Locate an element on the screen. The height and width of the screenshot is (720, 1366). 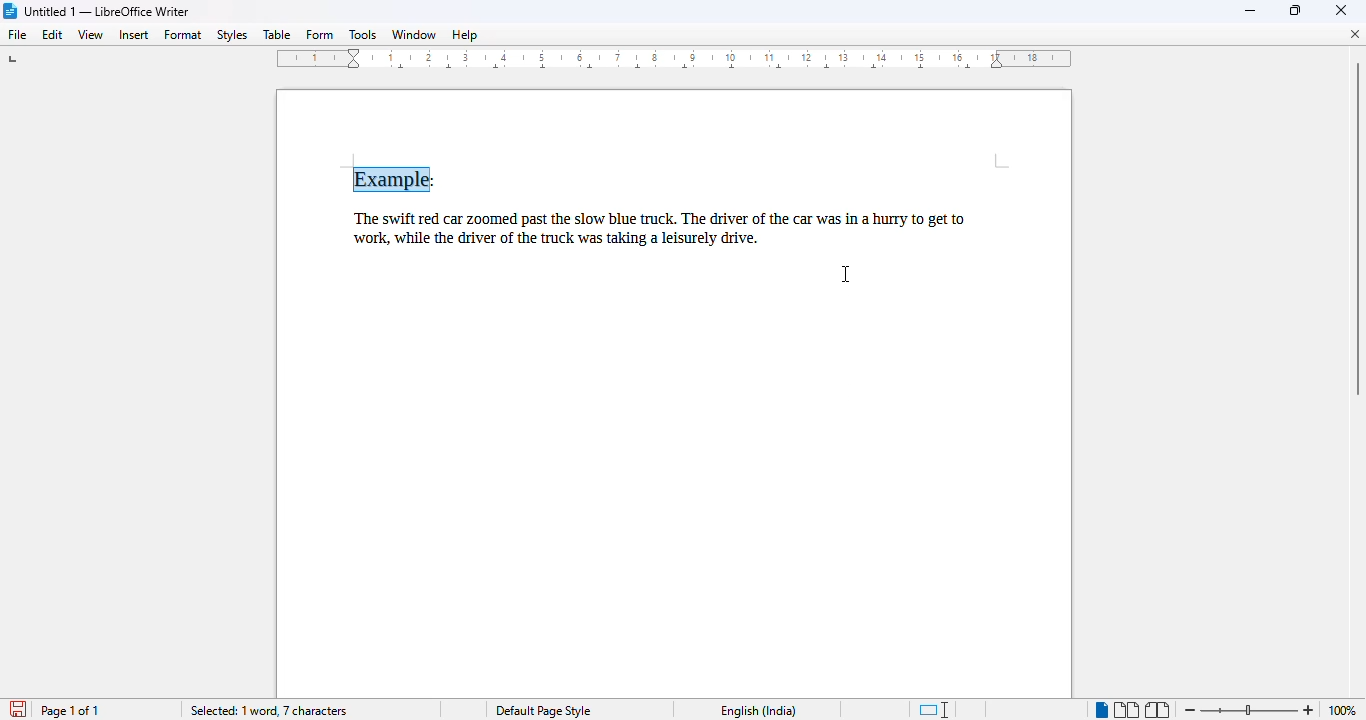
Zoom in is located at coordinates (1310, 707).